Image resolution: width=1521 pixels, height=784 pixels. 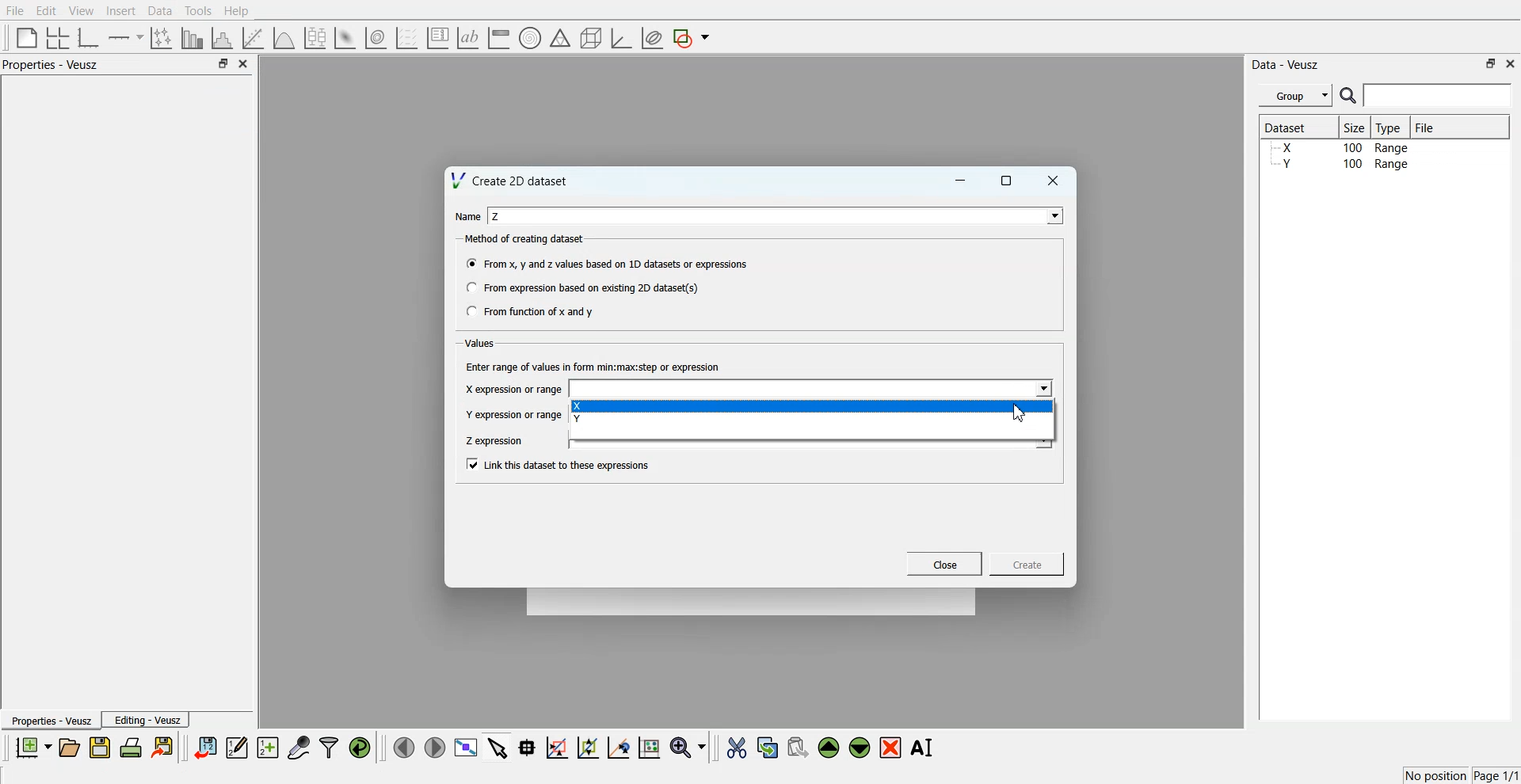 I want to click on Blank page, so click(x=27, y=37).